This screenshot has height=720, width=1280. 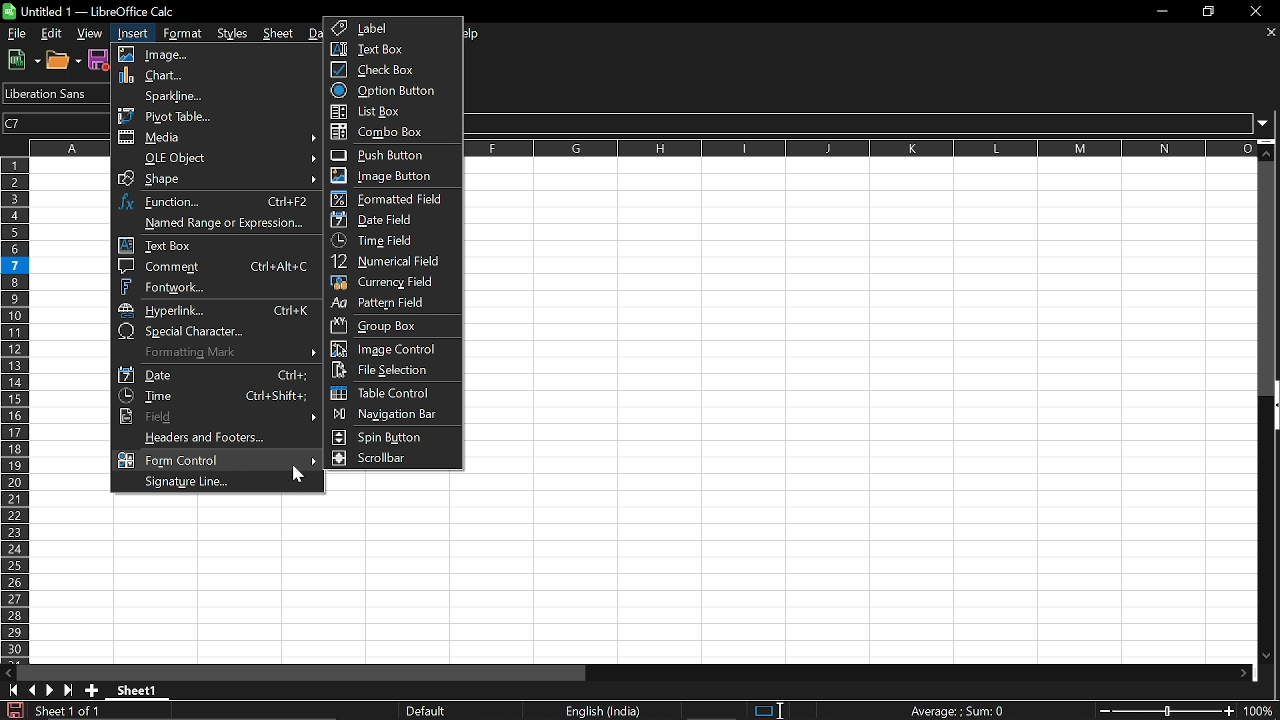 What do you see at coordinates (391, 284) in the screenshot?
I see `Currency field` at bounding box center [391, 284].